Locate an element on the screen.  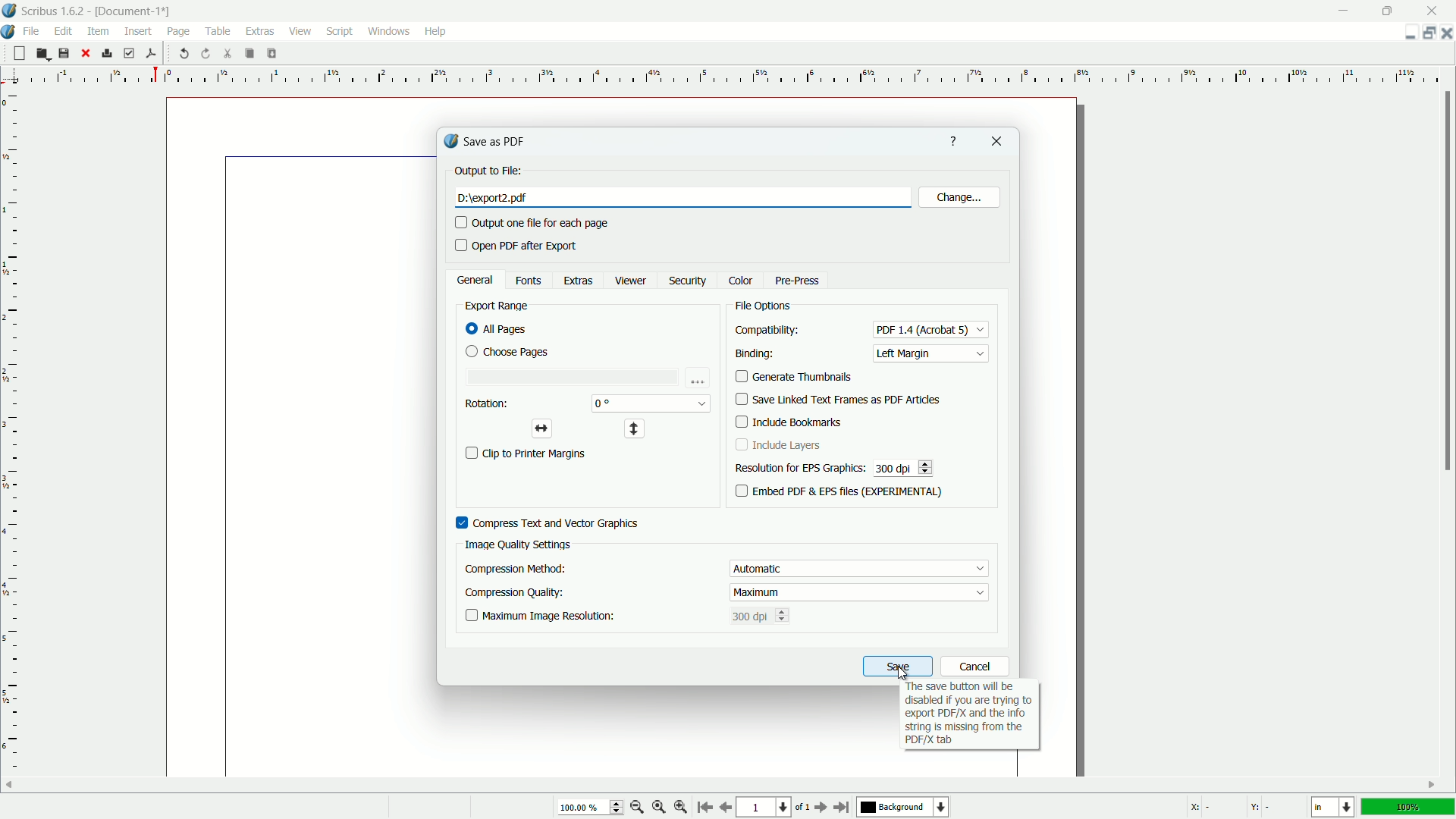
open pdf after export is located at coordinates (516, 246).